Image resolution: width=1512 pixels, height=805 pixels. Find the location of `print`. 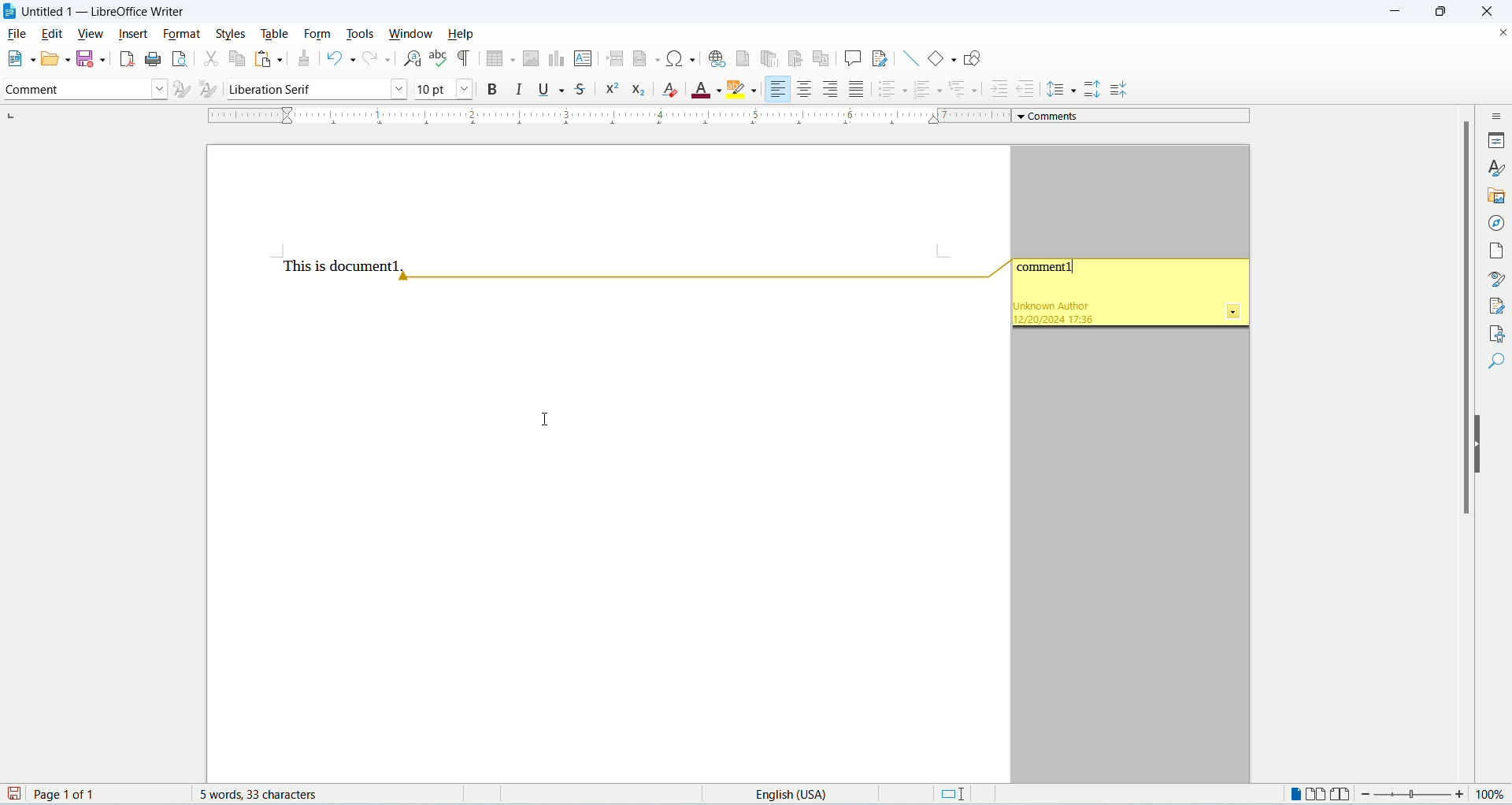

print is located at coordinates (150, 59).